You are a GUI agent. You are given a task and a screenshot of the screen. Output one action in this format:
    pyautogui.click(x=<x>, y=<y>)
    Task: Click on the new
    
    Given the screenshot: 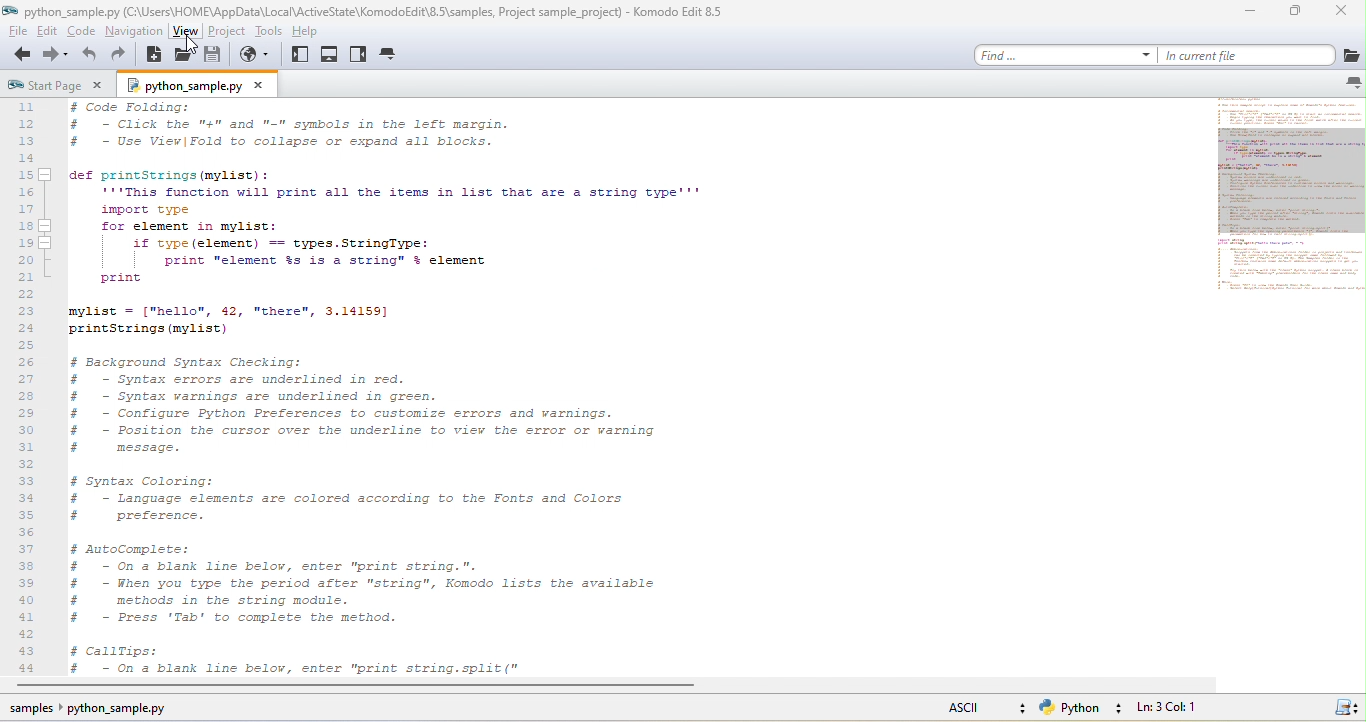 What is the action you would take?
    pyautogui.click(x=153, y=58)
    